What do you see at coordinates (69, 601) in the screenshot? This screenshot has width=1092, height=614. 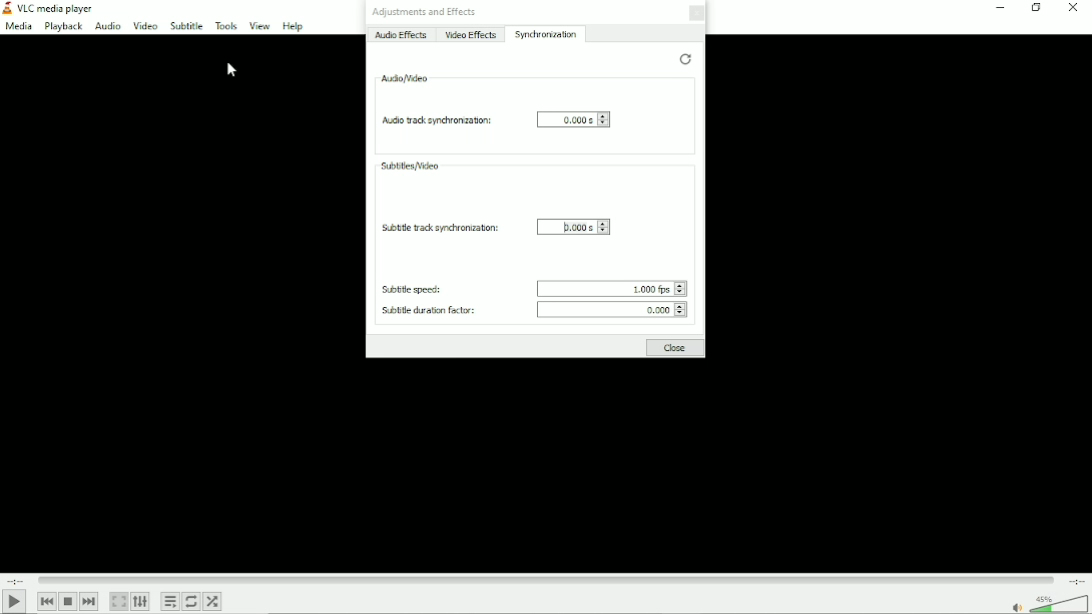 I see `stop playlist` at bounding box center [69, 601].